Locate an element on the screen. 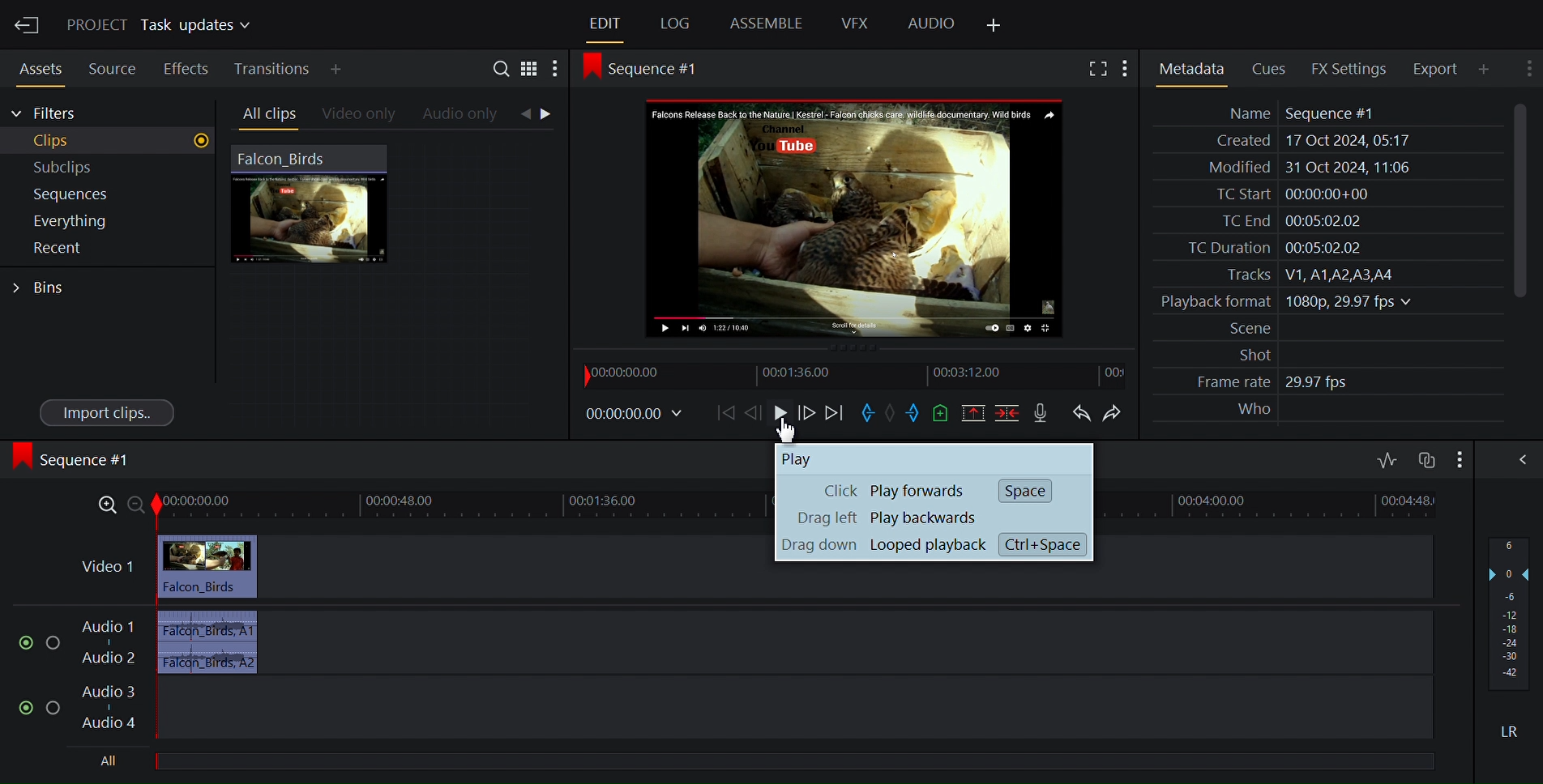 The image size is (1543, 784). Bins is located at coordinates (47, 286).